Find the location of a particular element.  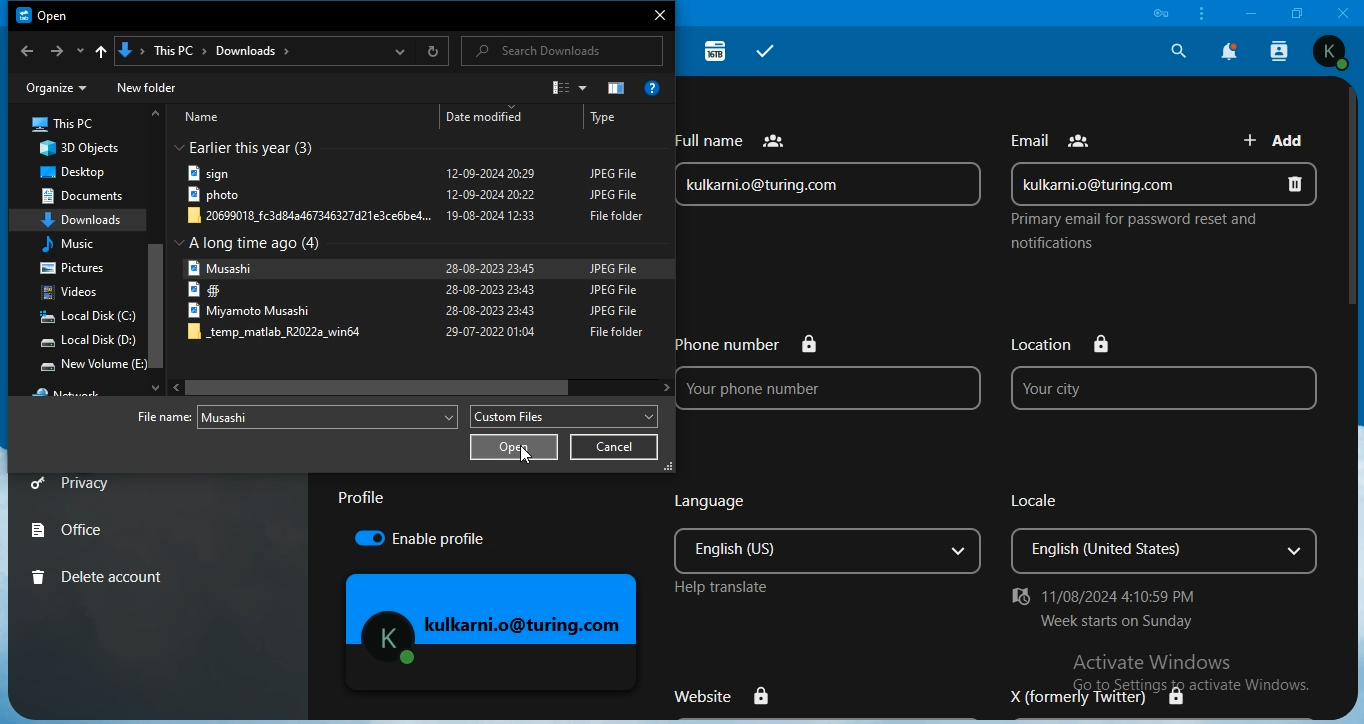

16TB is located at coordinates (717, 50).